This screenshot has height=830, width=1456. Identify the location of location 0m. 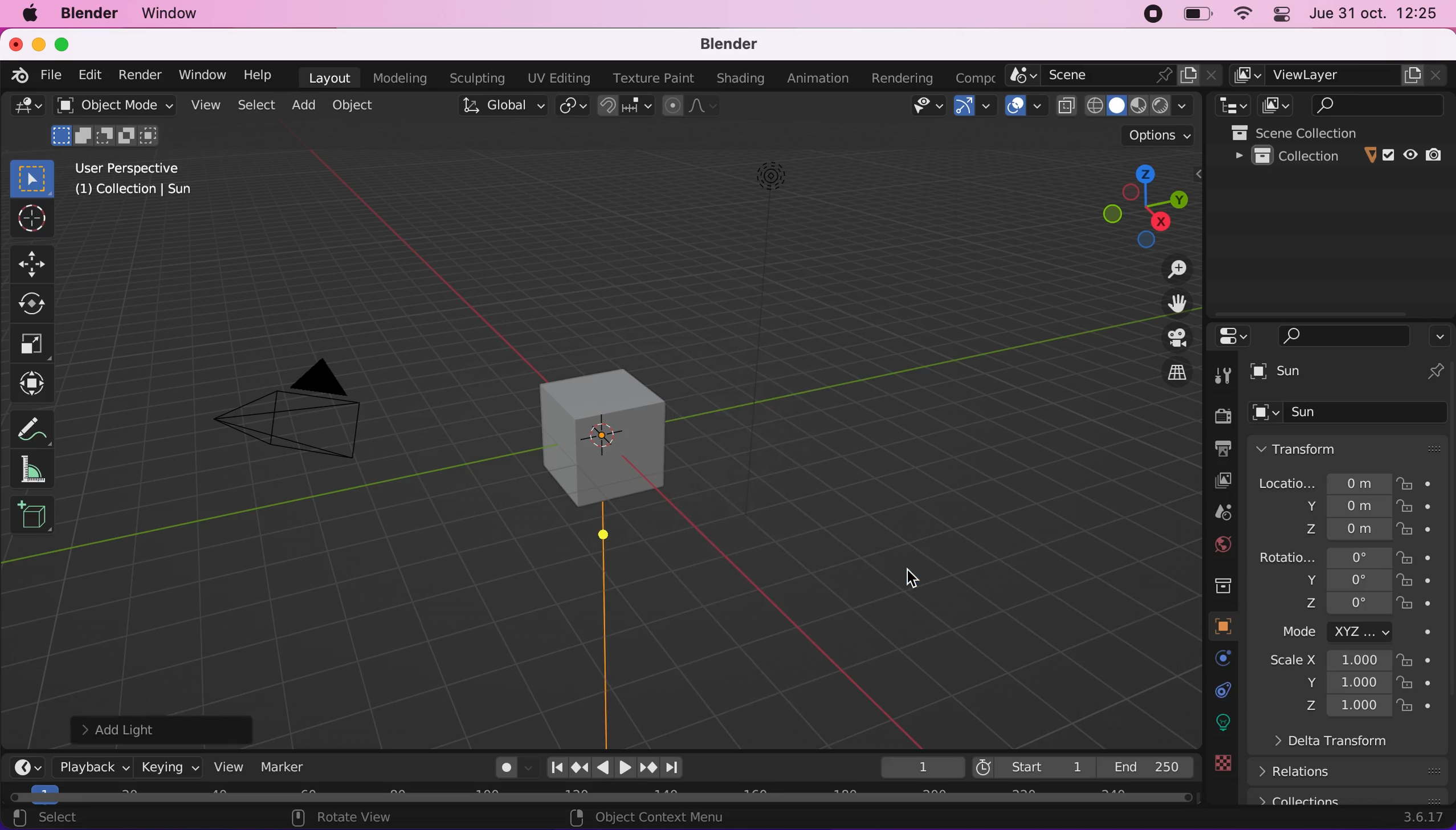
(1323, 482).